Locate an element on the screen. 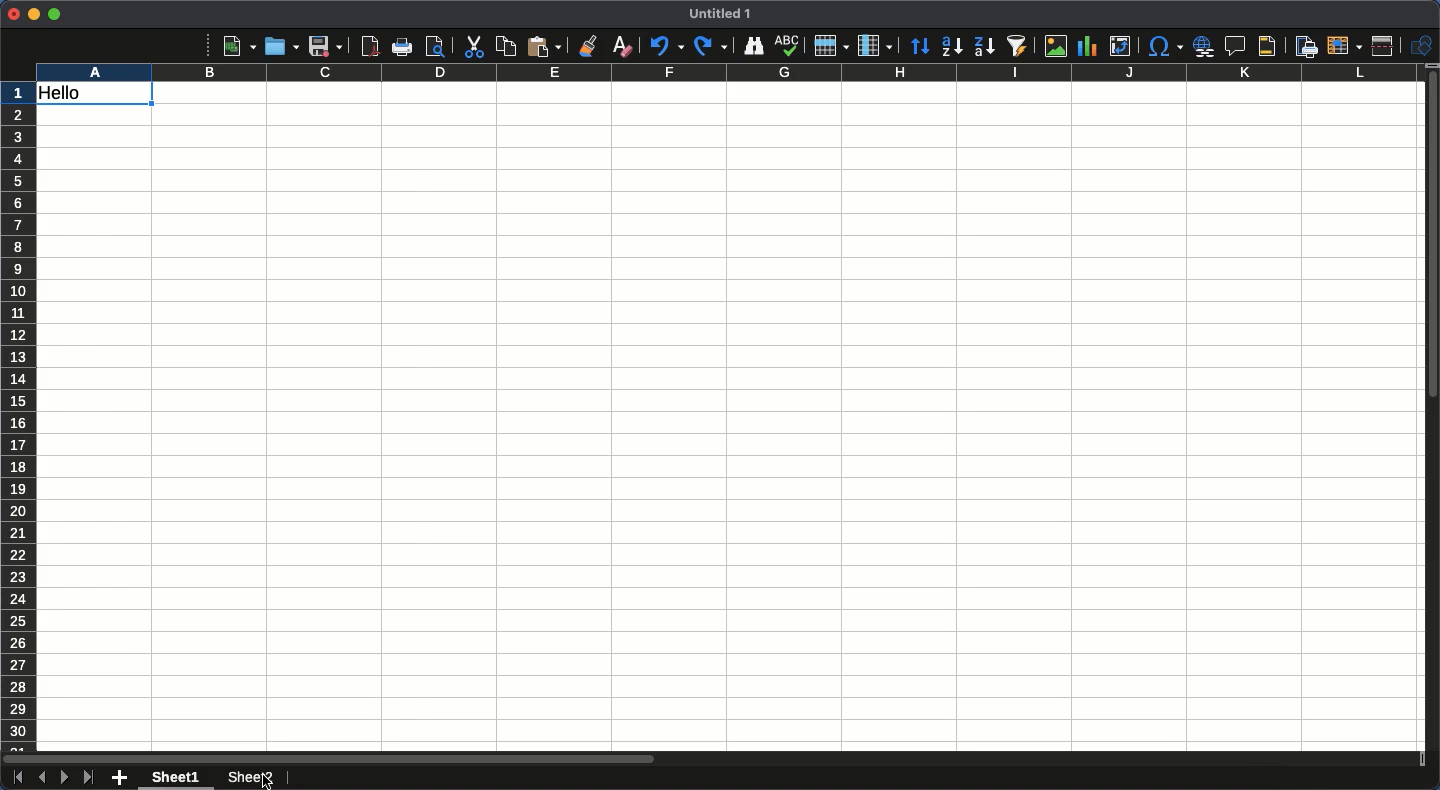 This screenshot has height=790, width=1440. Chart is located at coordinates (1085, 48).